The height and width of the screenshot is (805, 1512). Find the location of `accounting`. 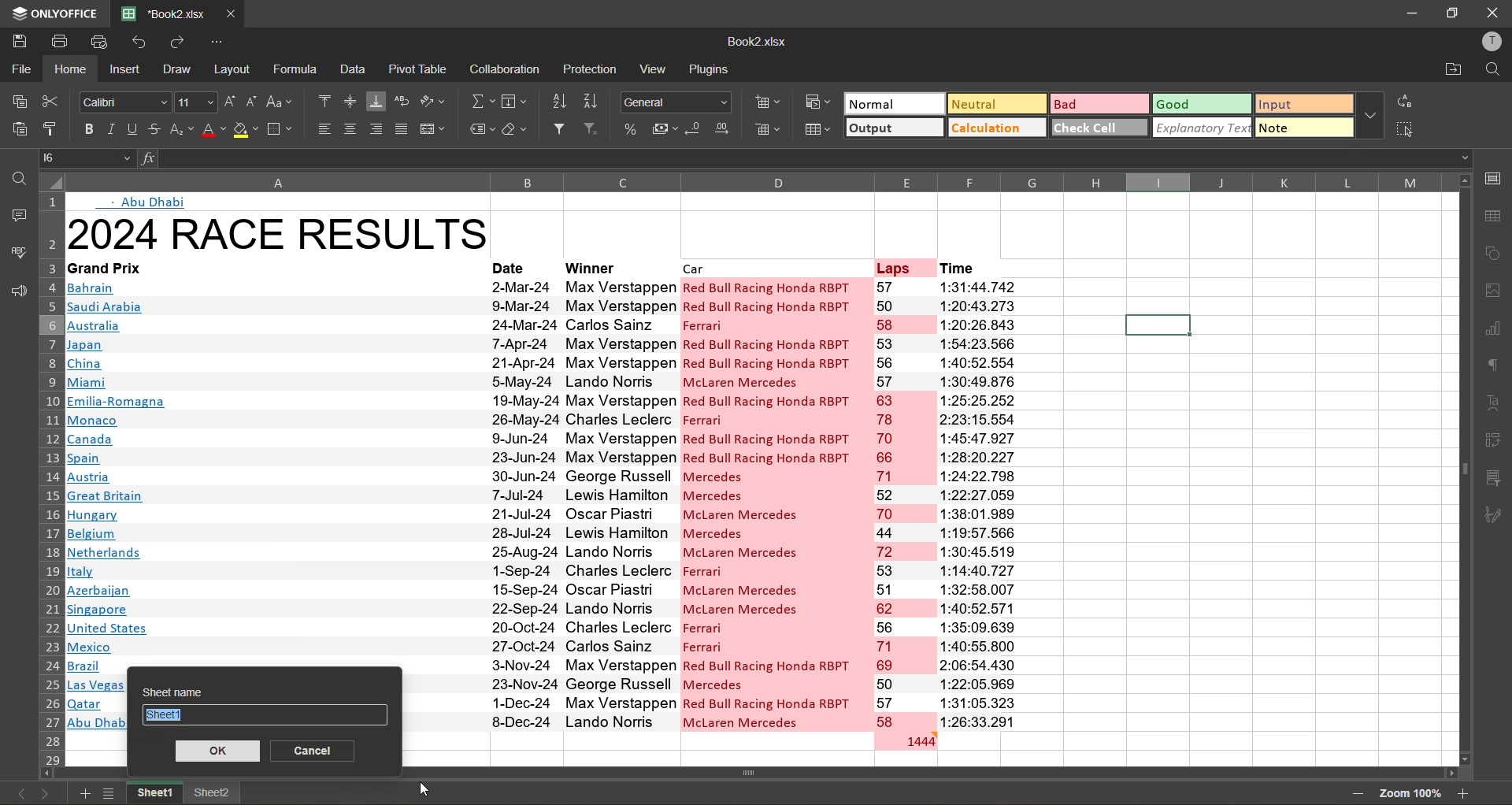

accounting is located at coordinates (663, 128).